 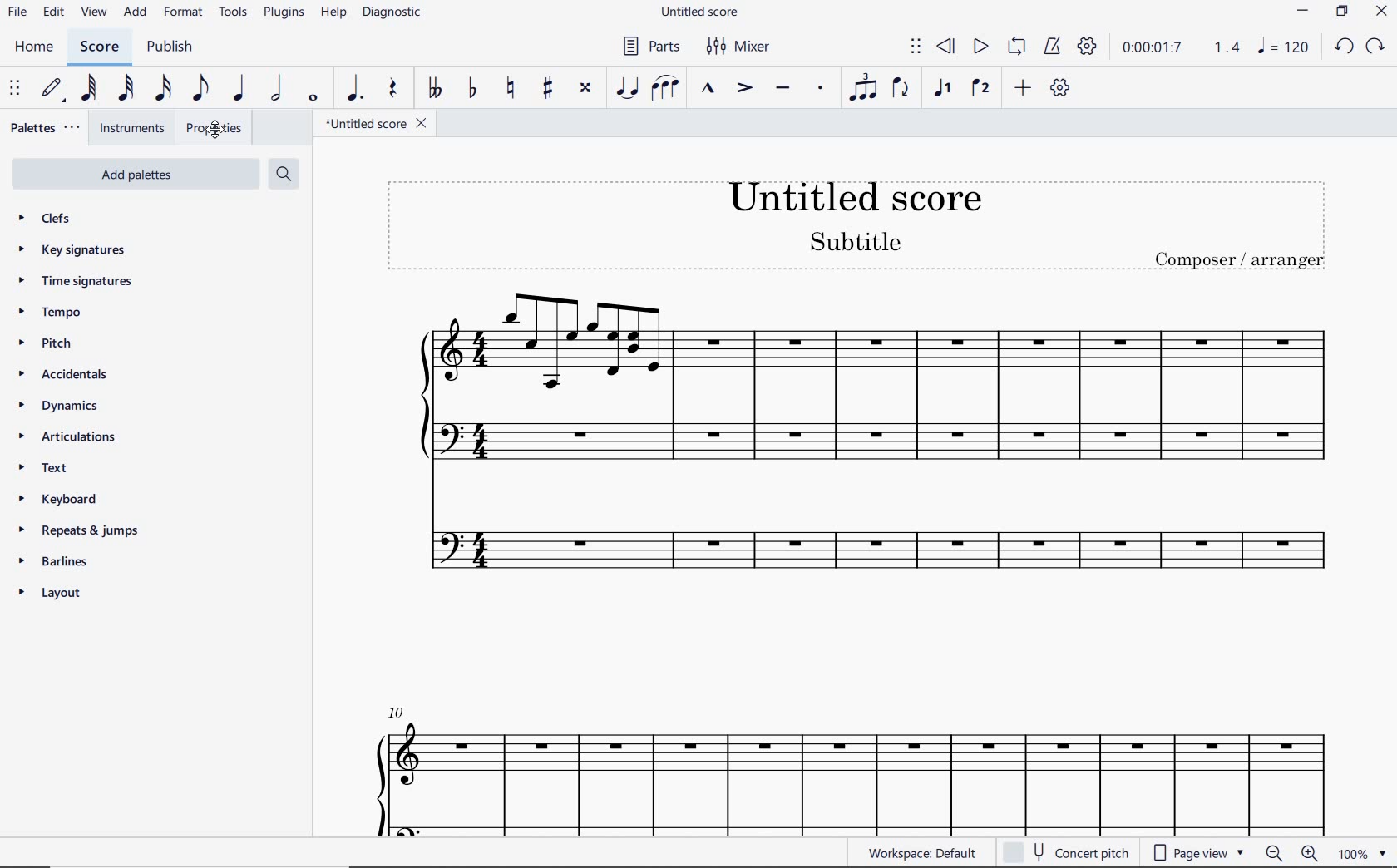 What do you see at coordinates (709, 90) in the screenshot?
I see `MARCATO` at bounding box center [709, 90].